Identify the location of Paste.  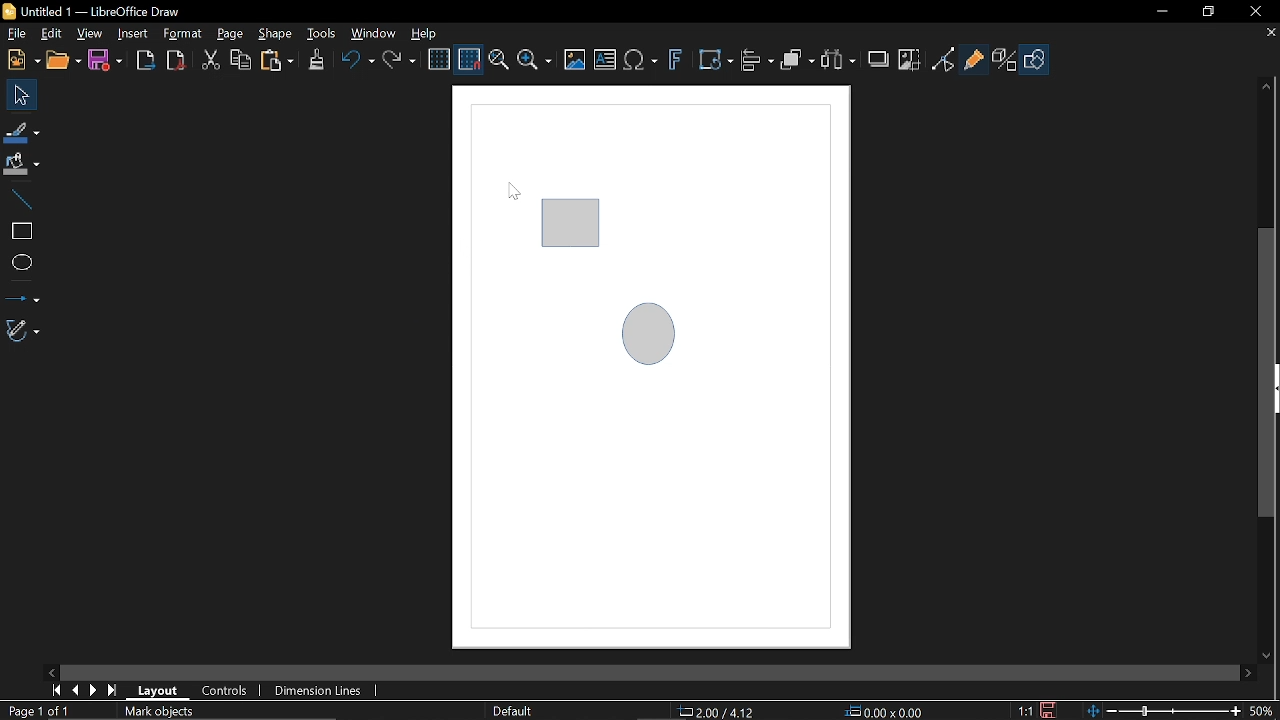
(277, 61).